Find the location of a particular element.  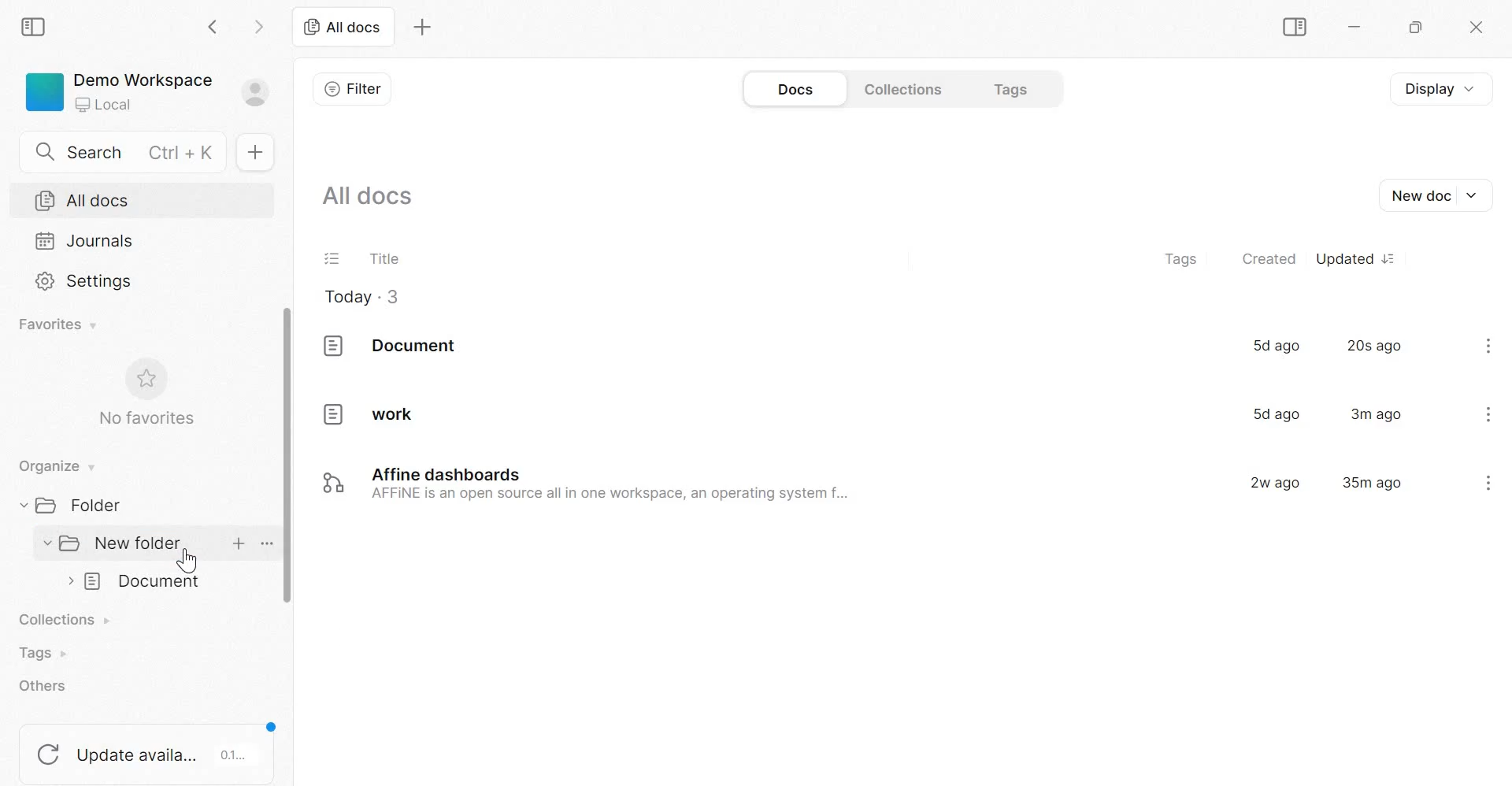

Document is located at coordinates (143, 584).